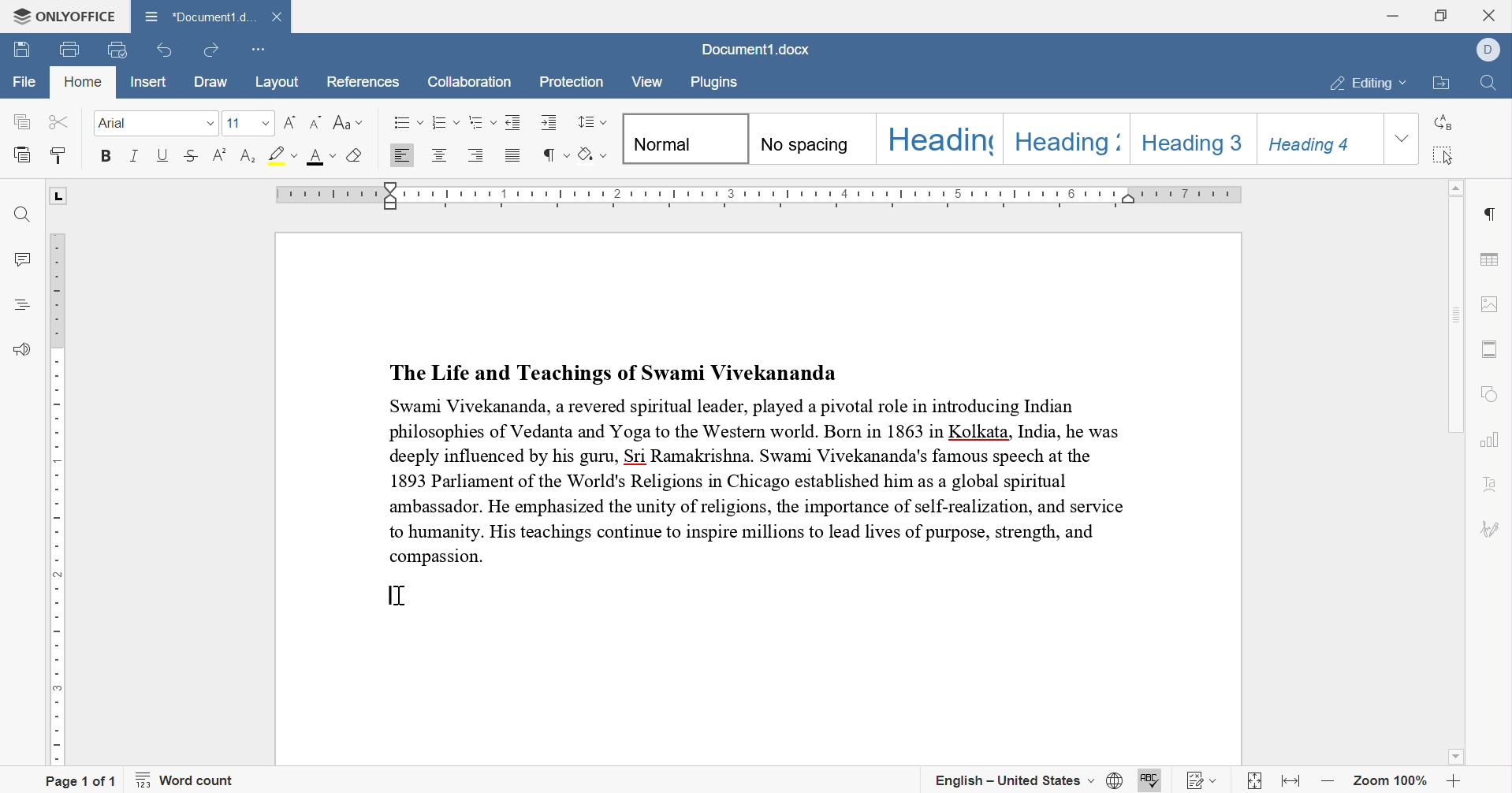  Describe the element at coordinates (191, 155) in the screenshot. I see `strikethrough` at that location.